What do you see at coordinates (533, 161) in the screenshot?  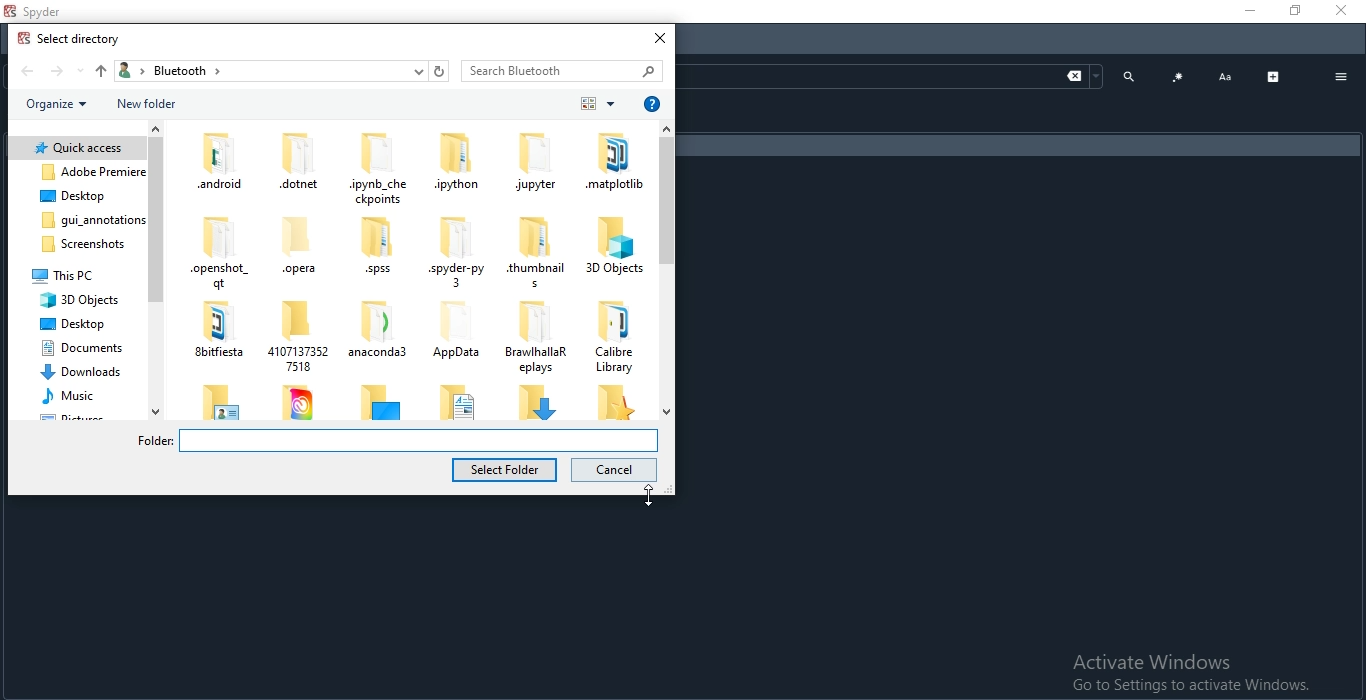 I see `jupyter` at bounding box center [533, 161].